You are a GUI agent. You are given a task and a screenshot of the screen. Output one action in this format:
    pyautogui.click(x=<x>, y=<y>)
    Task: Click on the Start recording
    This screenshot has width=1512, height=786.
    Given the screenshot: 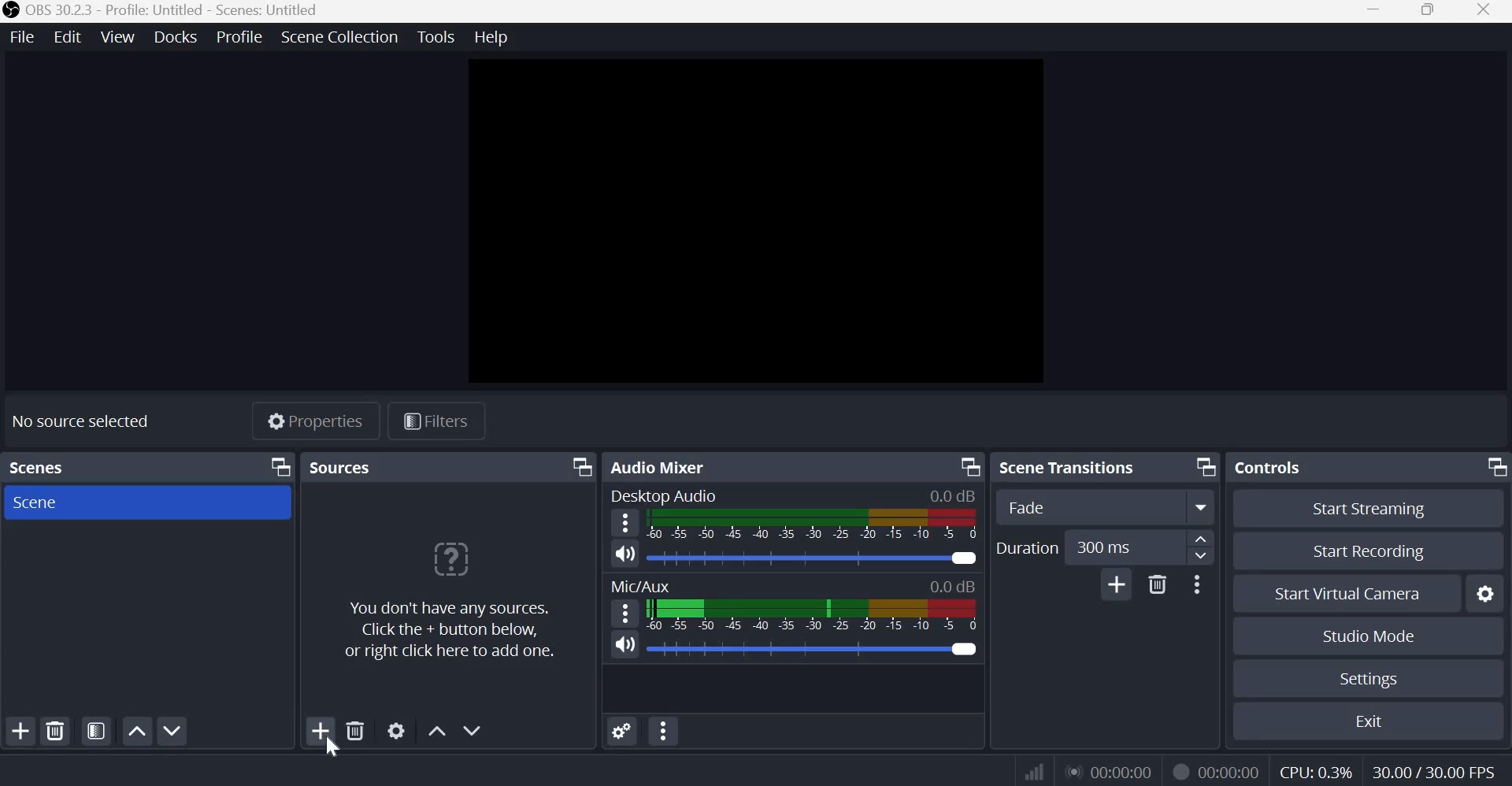 What is the action you would take?
    pyautogui.click(x=1377, y=552)
    